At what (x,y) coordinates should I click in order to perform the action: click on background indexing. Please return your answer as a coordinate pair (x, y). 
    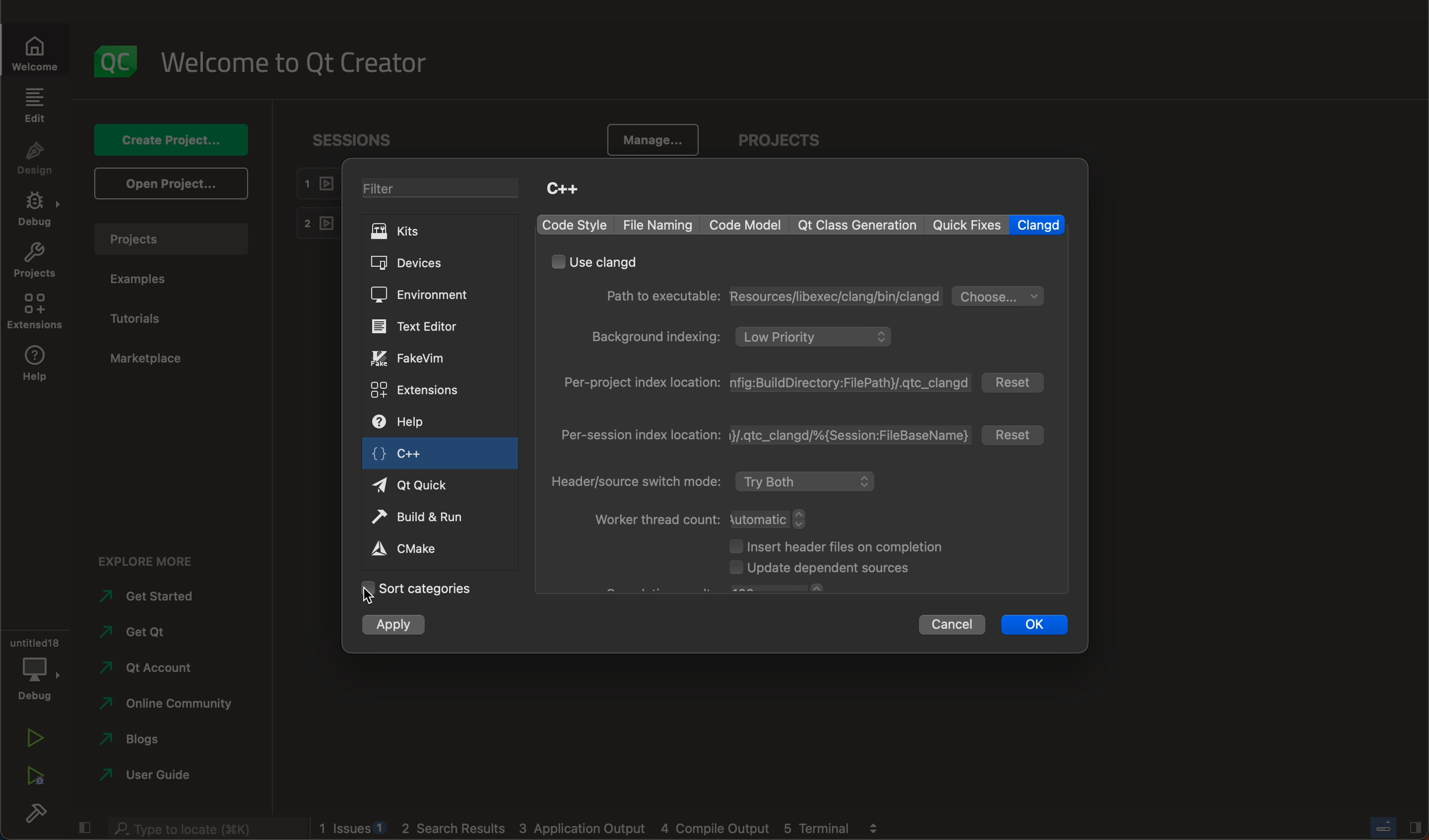
    Looking at the image, I should click on (746, 337).